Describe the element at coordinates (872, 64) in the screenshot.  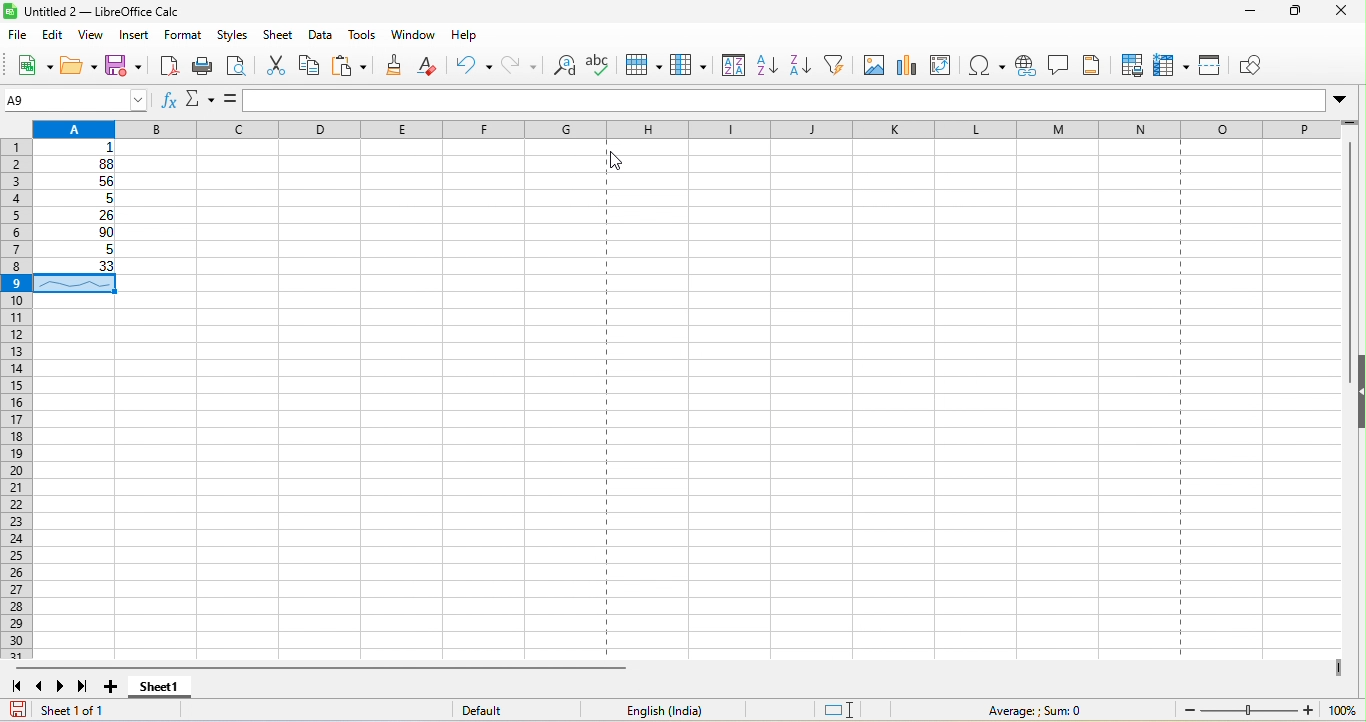
I see `image` at that location.